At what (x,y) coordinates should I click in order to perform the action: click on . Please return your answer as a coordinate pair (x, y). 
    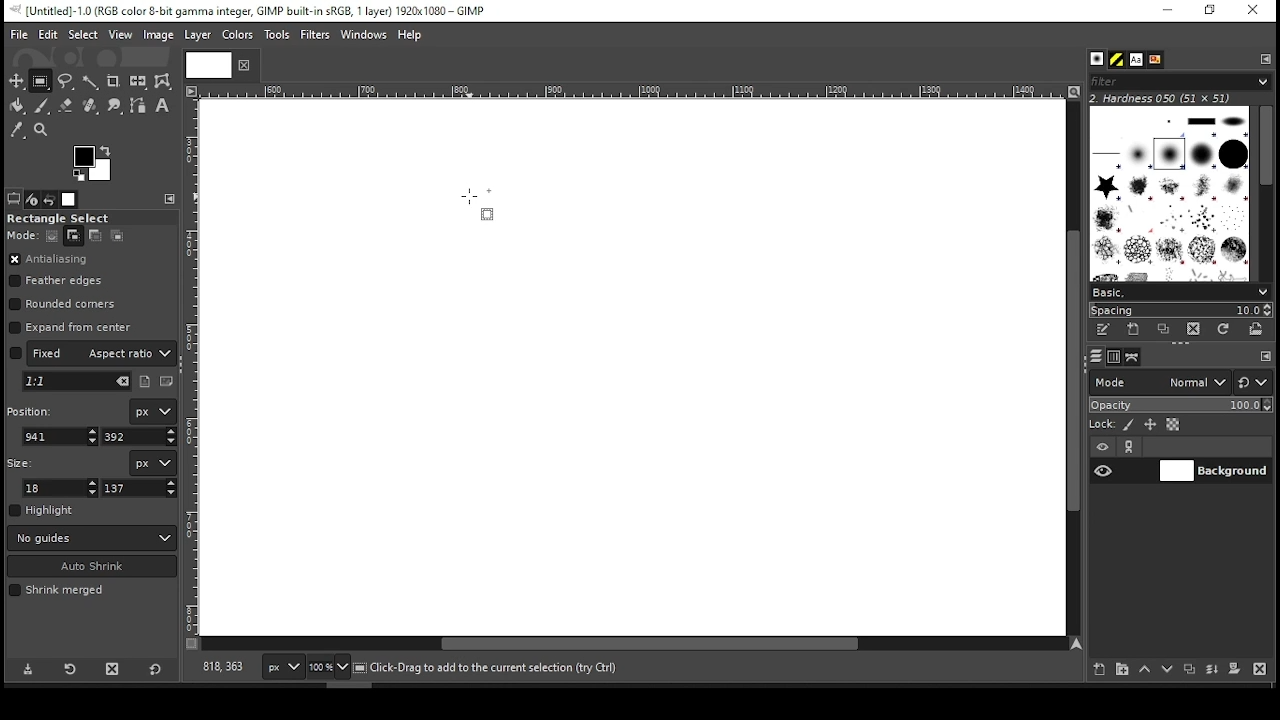
    Looking at the image, I should click on (205, 64).